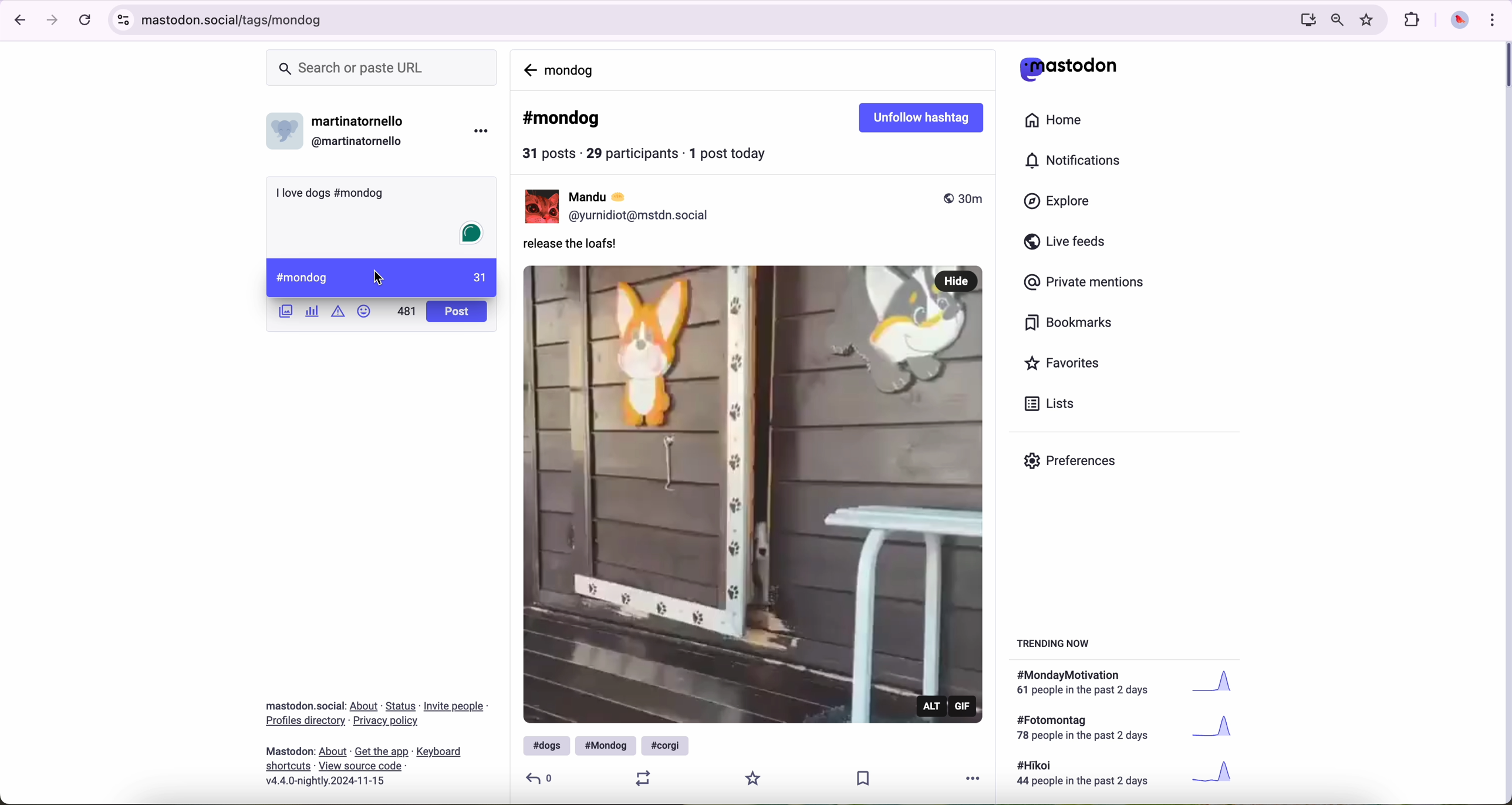 The height and width of the screenshot is (805, 1512). Describe the element at coordinates (289, 767) in the screenshot. I see `link` at that location.